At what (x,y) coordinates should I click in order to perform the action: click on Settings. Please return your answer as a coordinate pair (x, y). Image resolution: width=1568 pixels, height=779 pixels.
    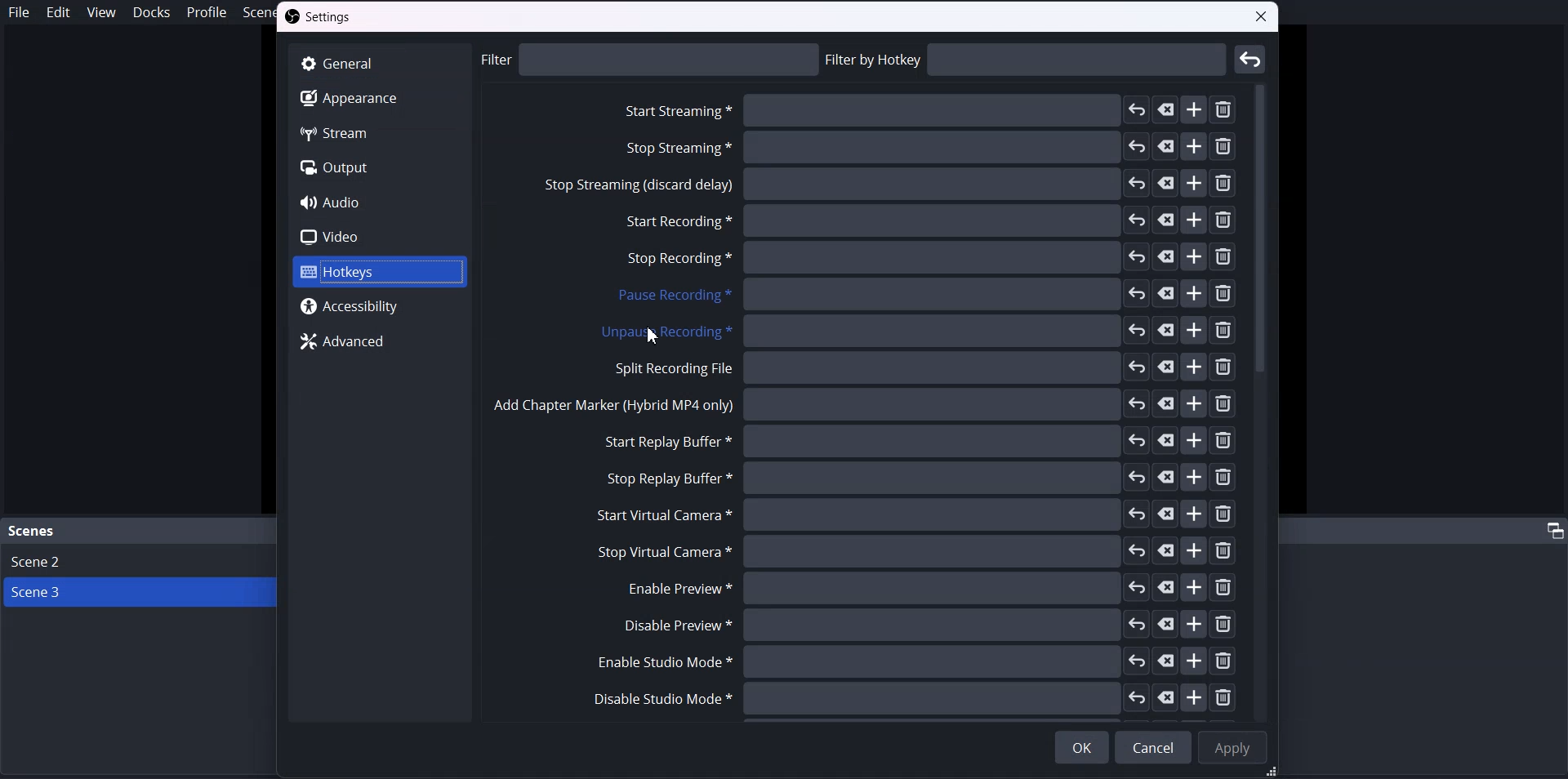
    Looking at the image, I should click on (323, 18).